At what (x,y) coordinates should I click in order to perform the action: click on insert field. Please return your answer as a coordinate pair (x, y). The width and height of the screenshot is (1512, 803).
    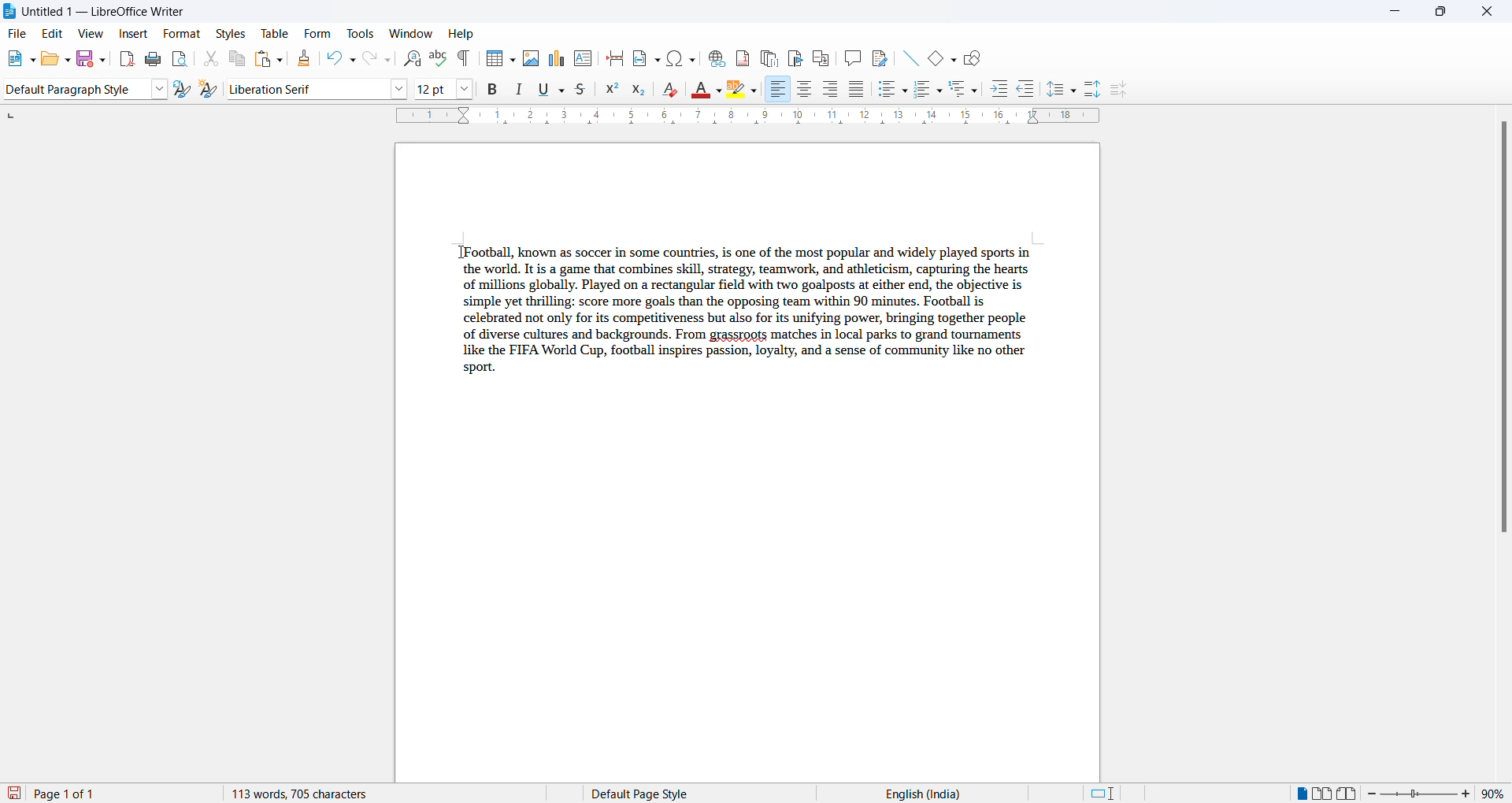
    Looking at the image, I should click on (646, 59).